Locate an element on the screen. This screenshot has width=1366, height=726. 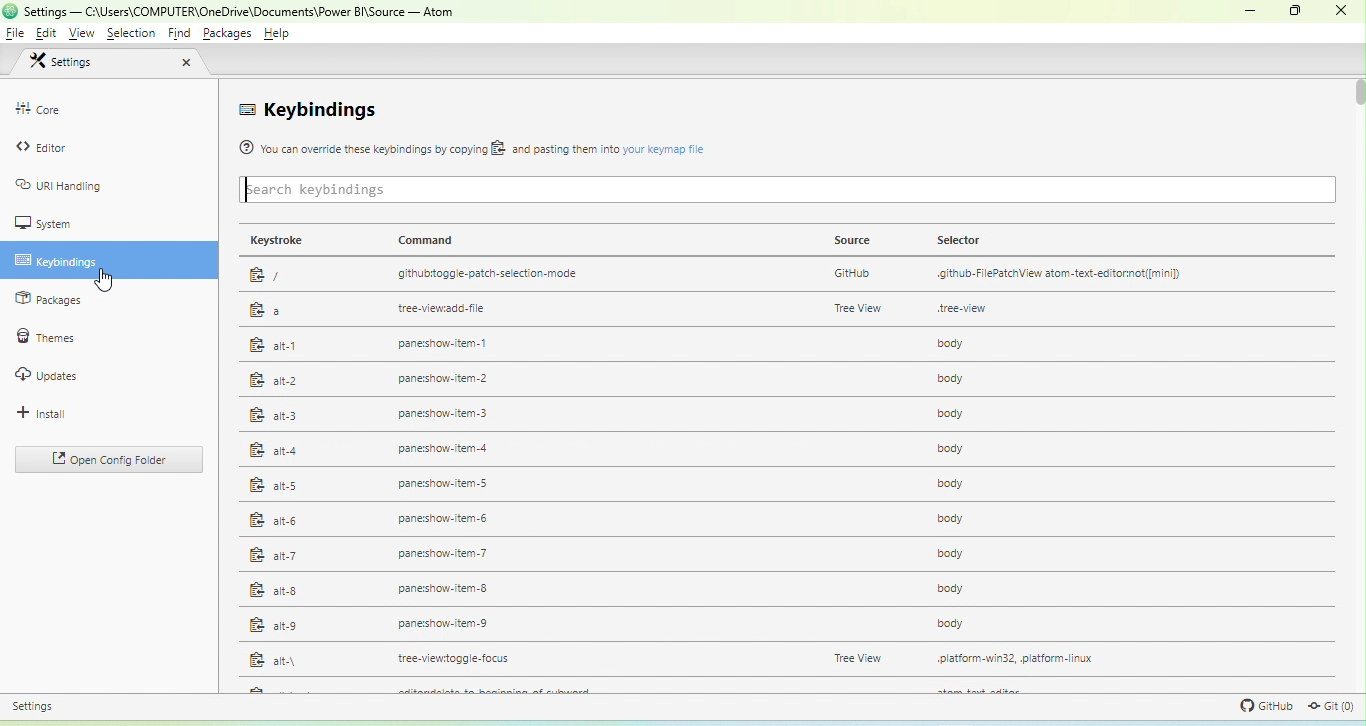
editor is located at coordinates (46, 146).